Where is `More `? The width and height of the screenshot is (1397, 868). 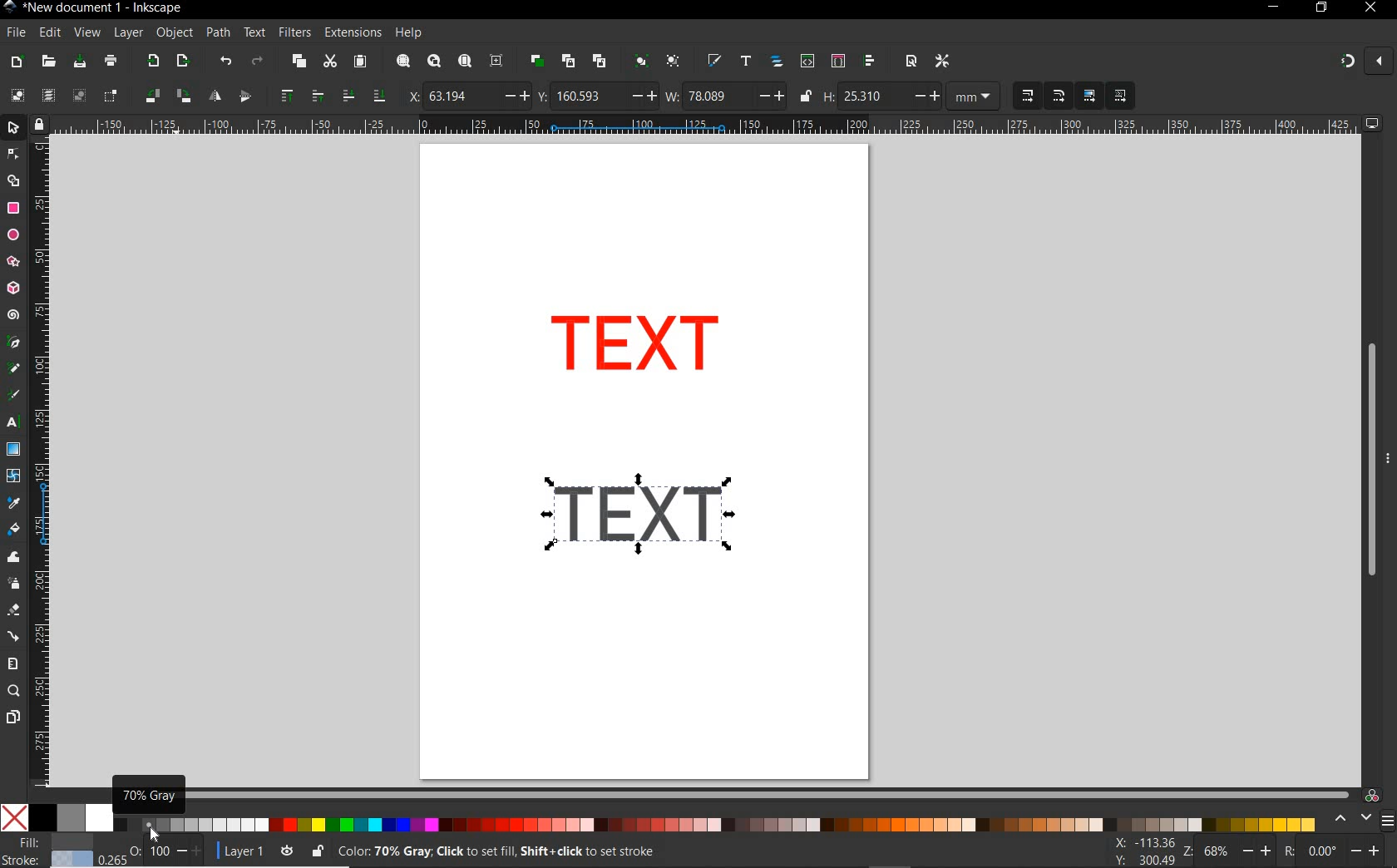 More  is located at coordinates (1388, 465).